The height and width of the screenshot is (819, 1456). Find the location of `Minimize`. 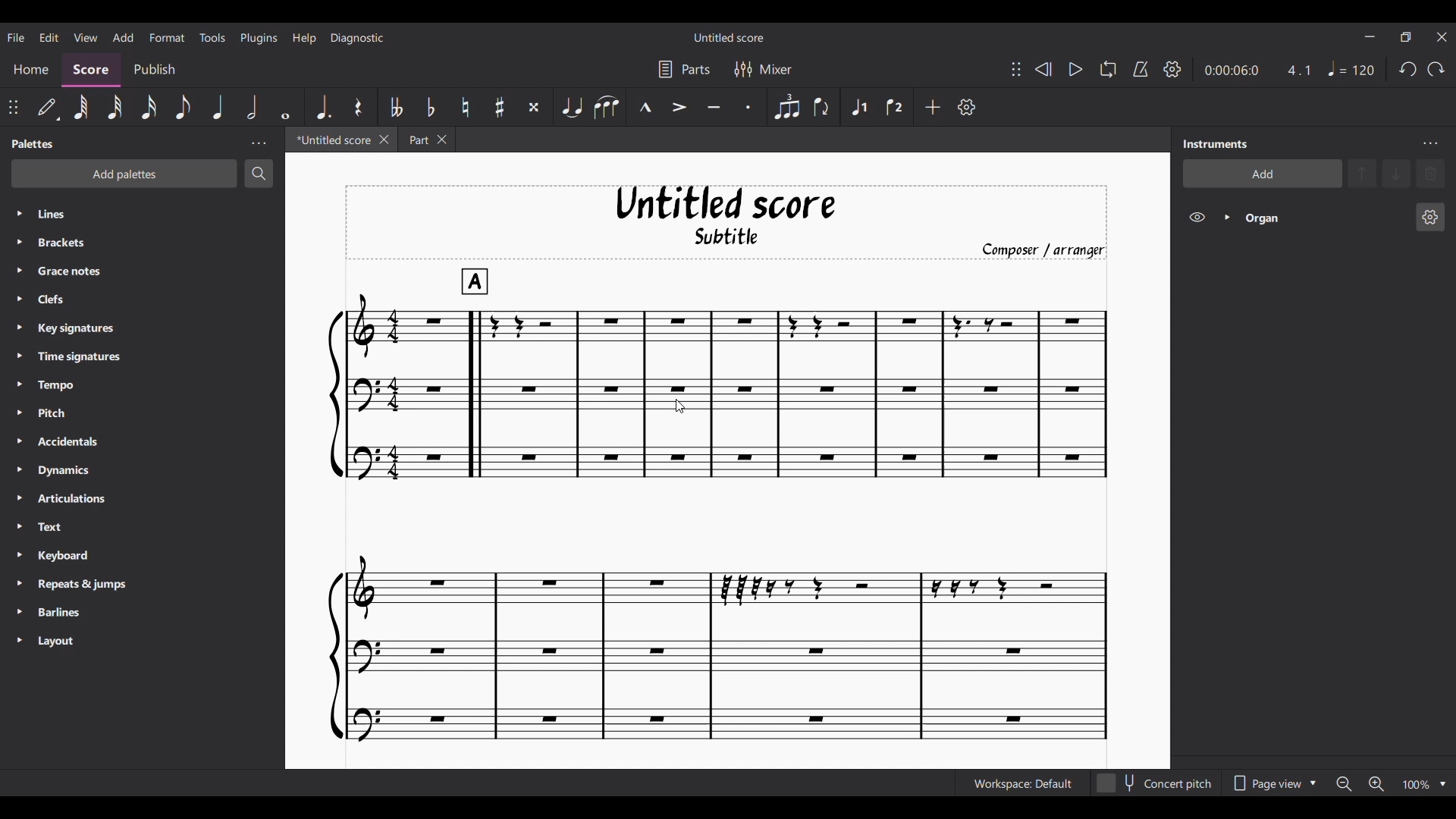

Minimize is located at coordinates (1370, 36).